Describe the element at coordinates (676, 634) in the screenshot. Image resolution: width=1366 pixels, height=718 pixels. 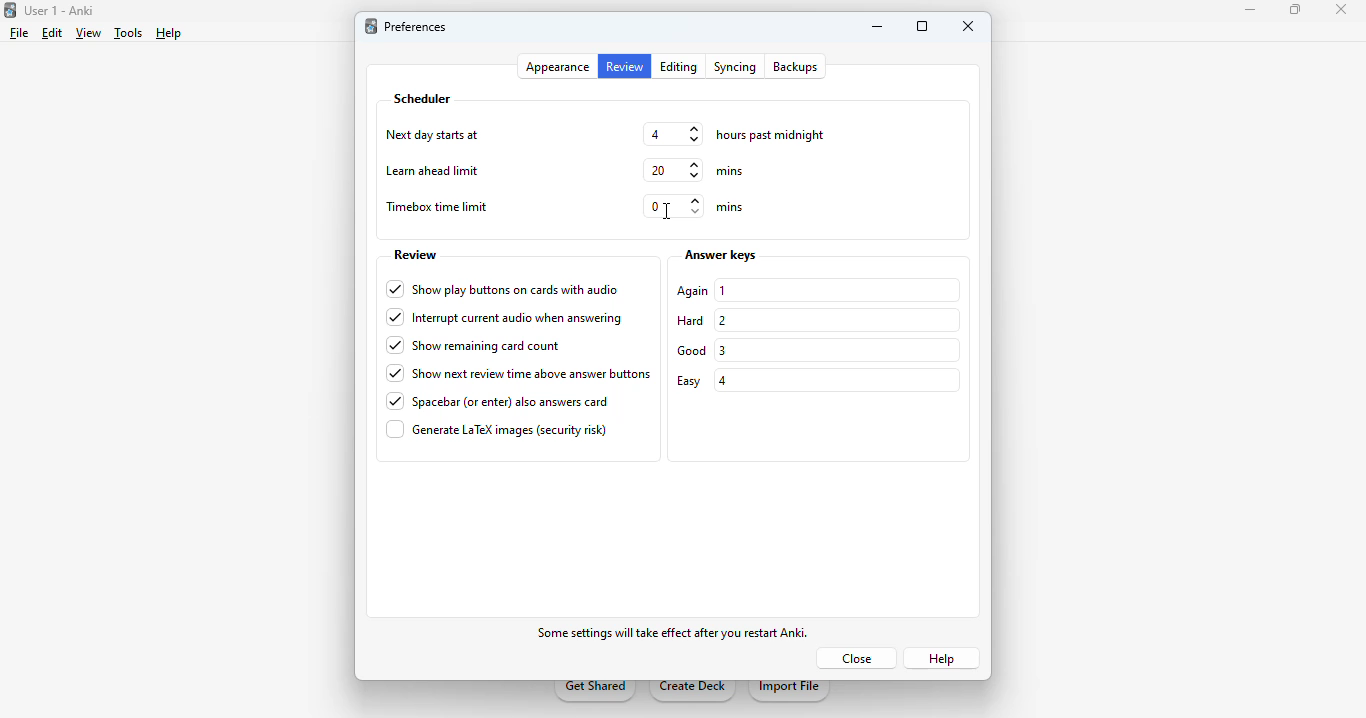
I see `some effects will take effect after you restart Anki` at that location.